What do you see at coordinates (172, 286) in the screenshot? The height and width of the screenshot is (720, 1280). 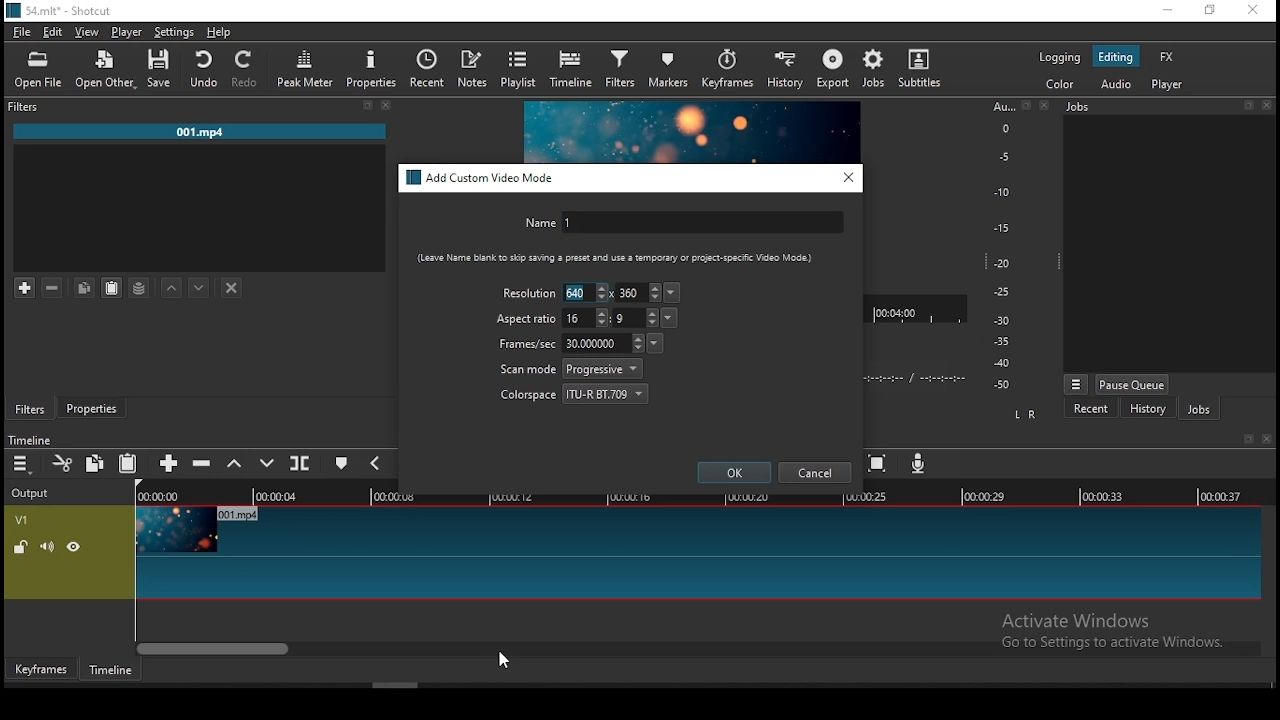 I see `move filter up` at bounding box center [172, 286].